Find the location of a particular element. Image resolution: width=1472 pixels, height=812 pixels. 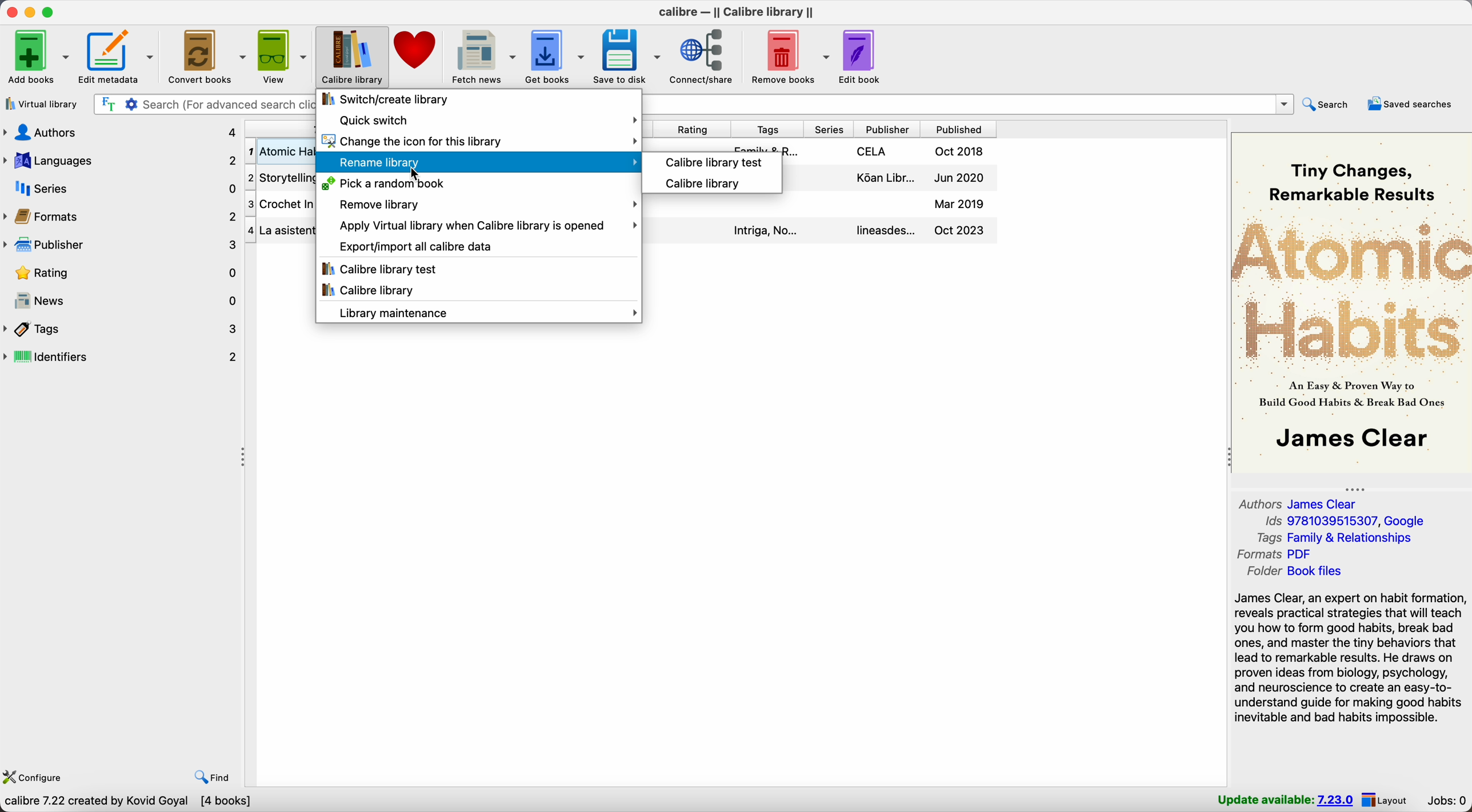

tags is located at coordinates (766, 129).